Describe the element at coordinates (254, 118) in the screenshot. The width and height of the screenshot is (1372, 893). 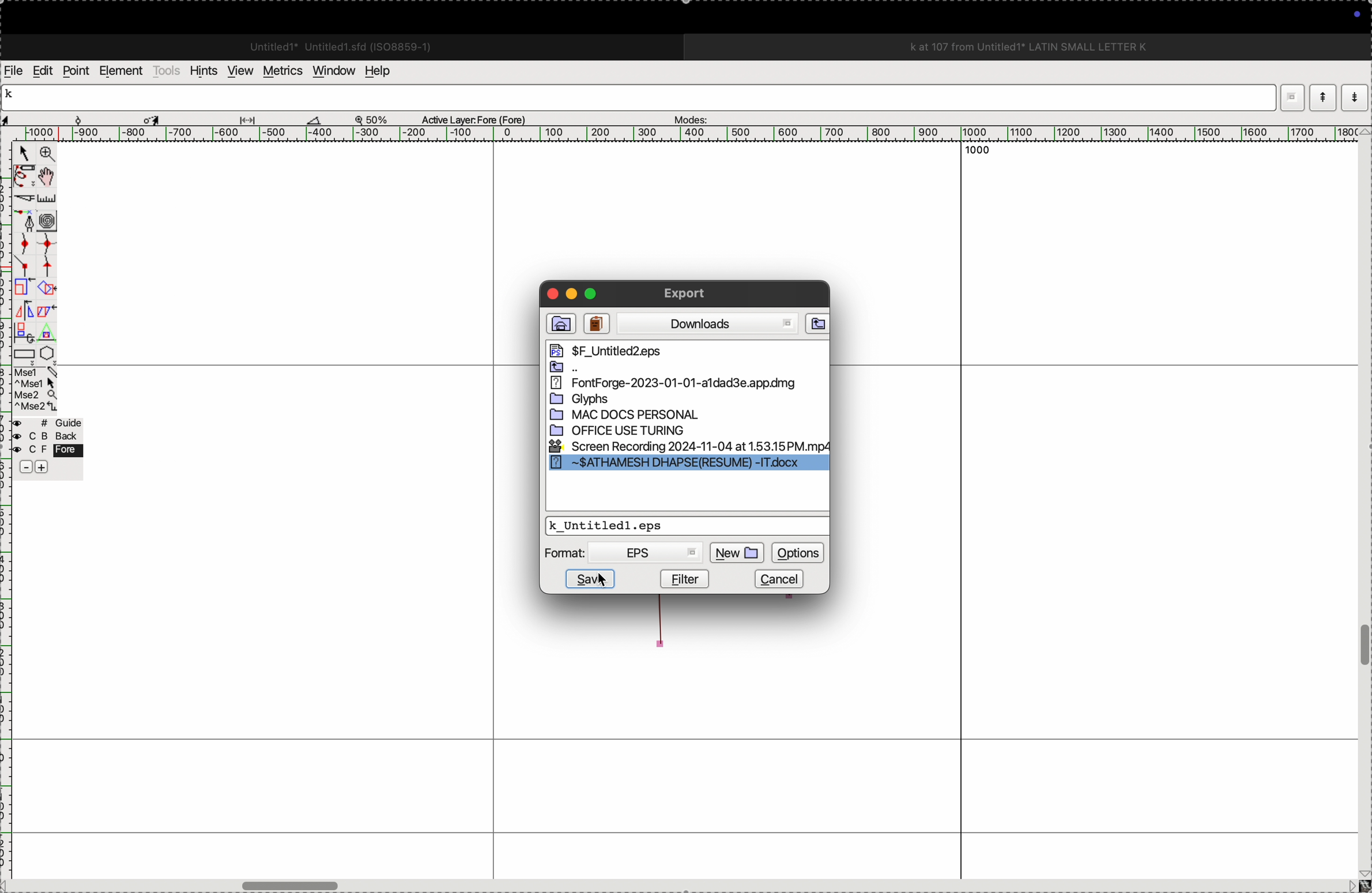
I see `drang` at that location.